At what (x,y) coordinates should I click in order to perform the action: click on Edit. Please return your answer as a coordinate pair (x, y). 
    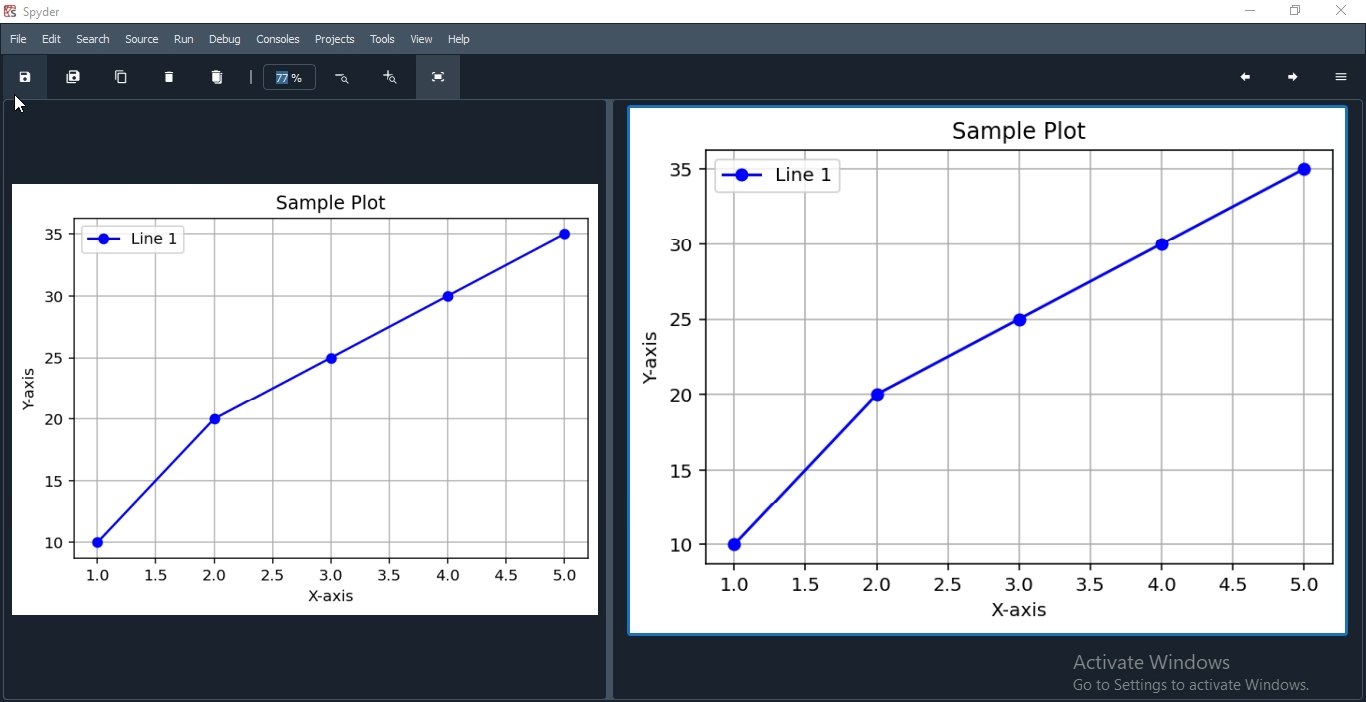
    Looking at the image, I should click on (50, 38).